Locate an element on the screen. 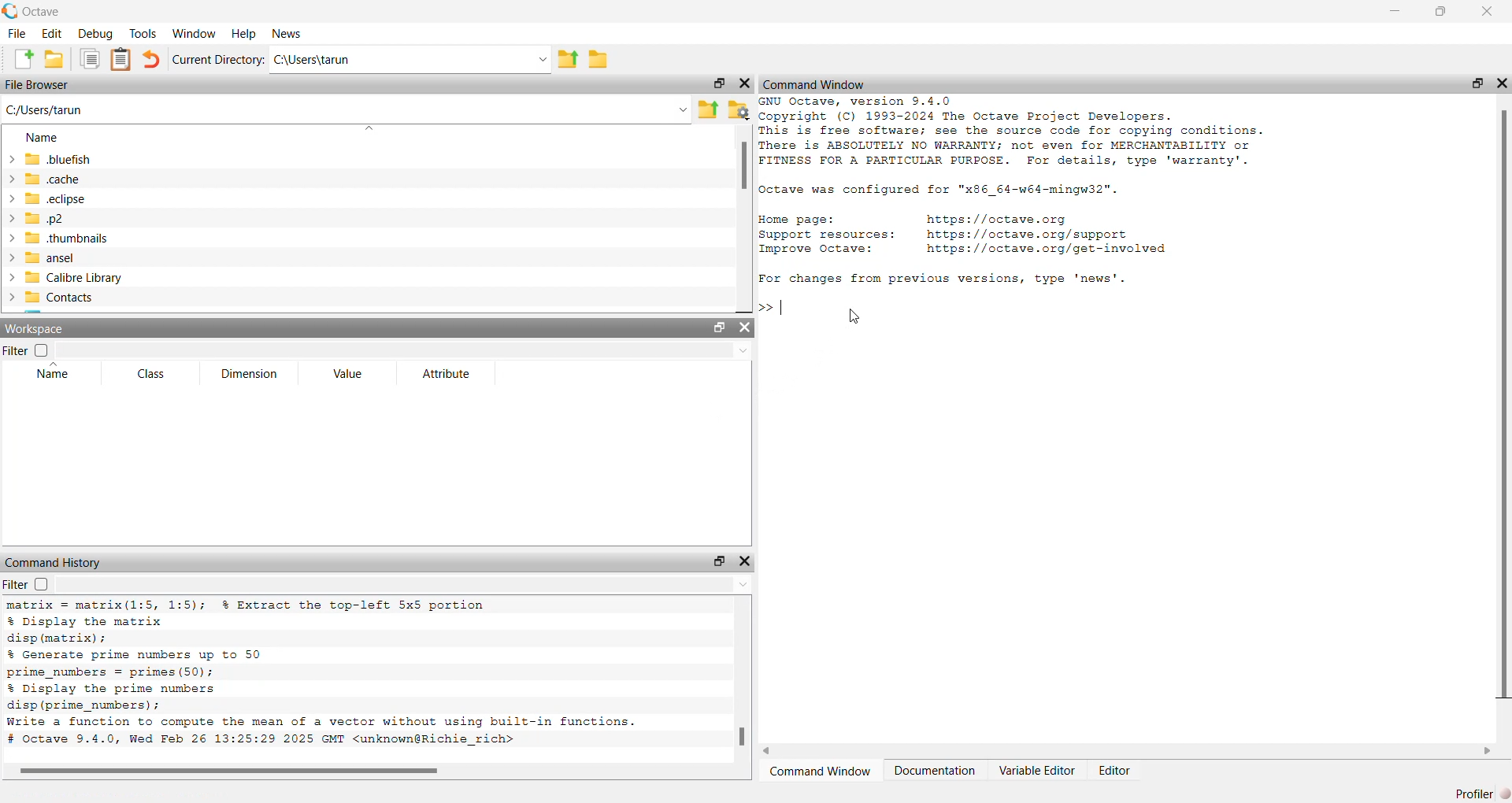  .eclipse is located at coordinates (55, 200).